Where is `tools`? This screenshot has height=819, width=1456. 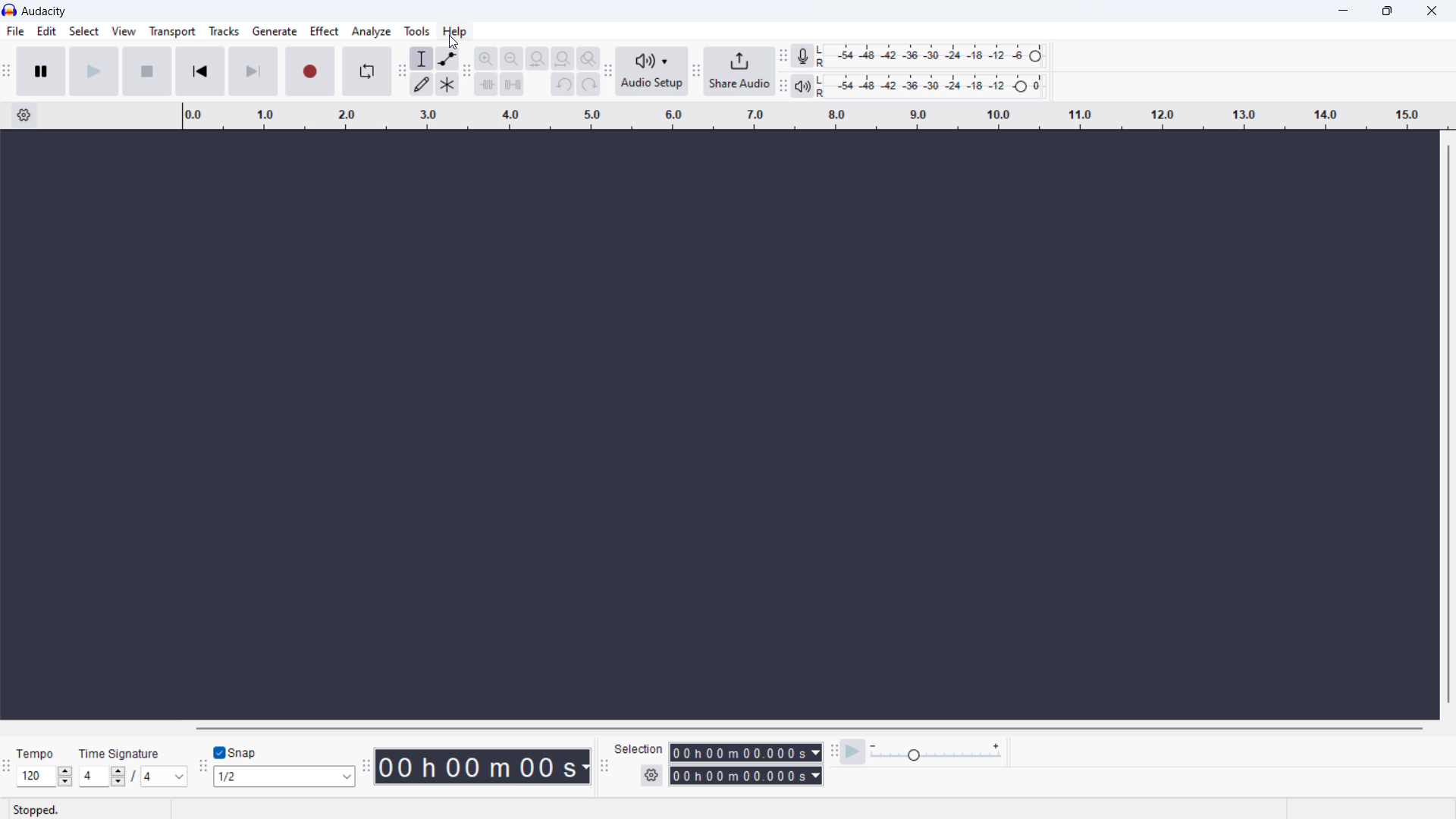
tools is located at coordinates (415, 31).